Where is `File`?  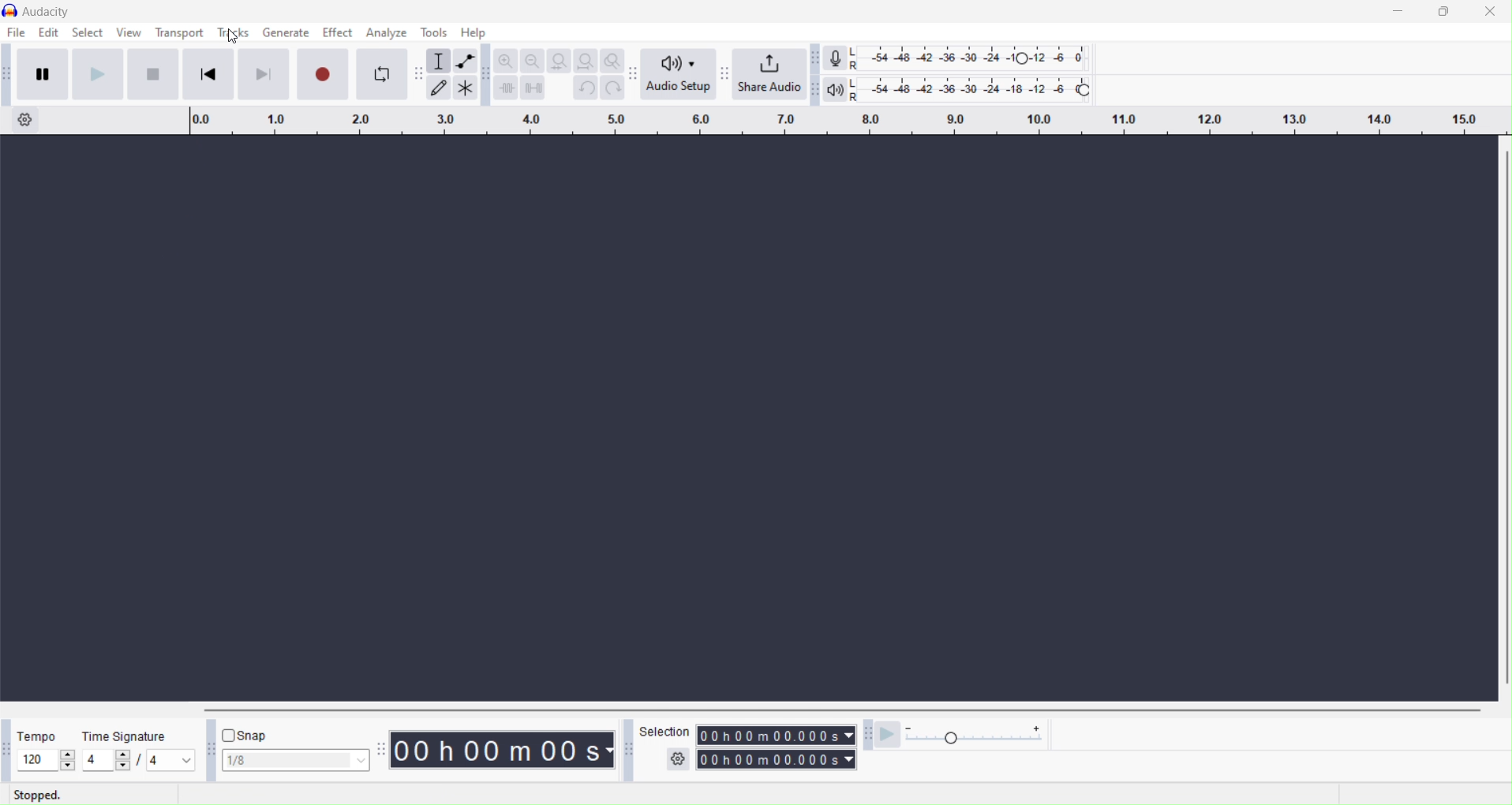 File is located at coordinates (17, 33).